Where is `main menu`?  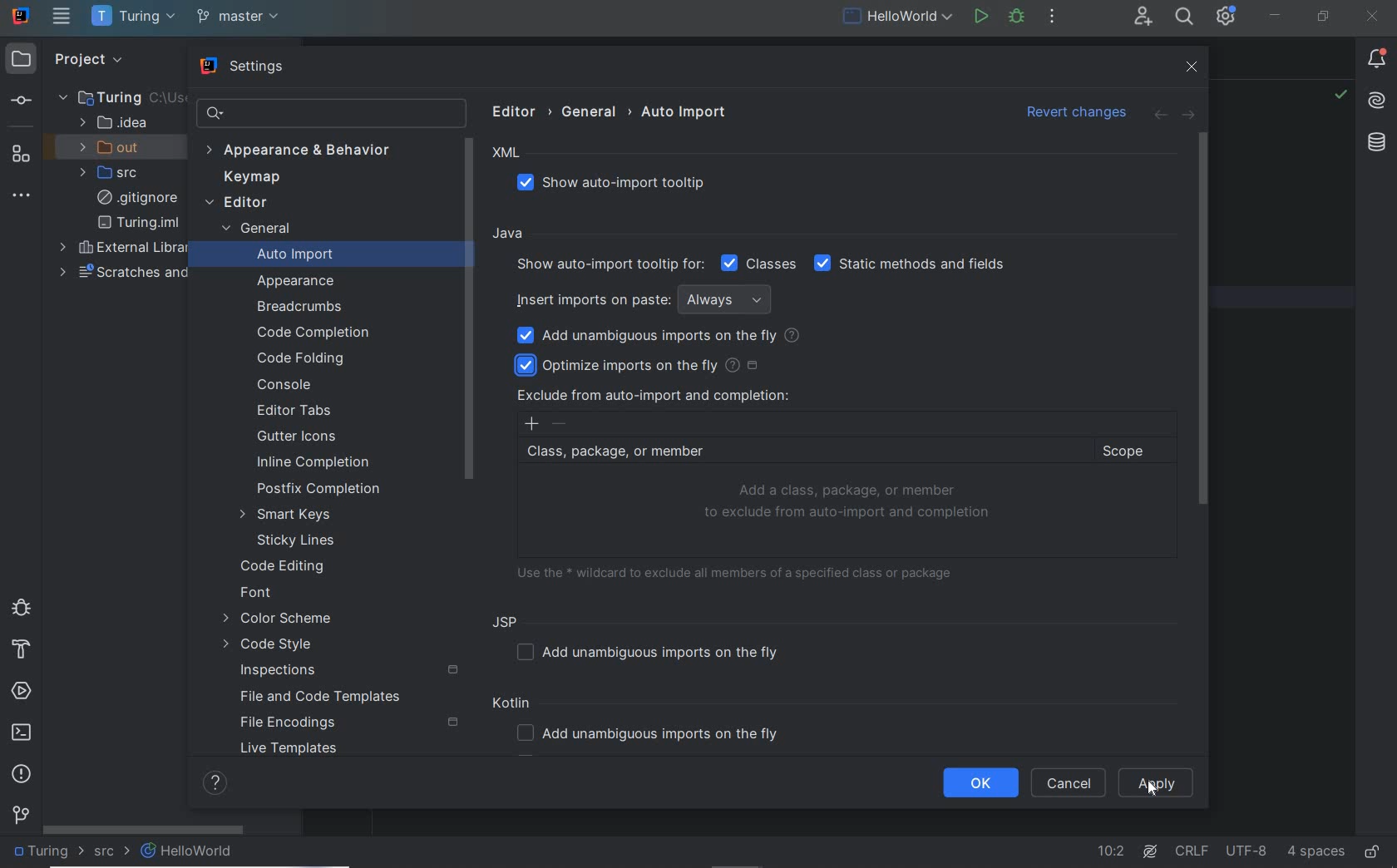
main menu is located at coordinates (62, 16).